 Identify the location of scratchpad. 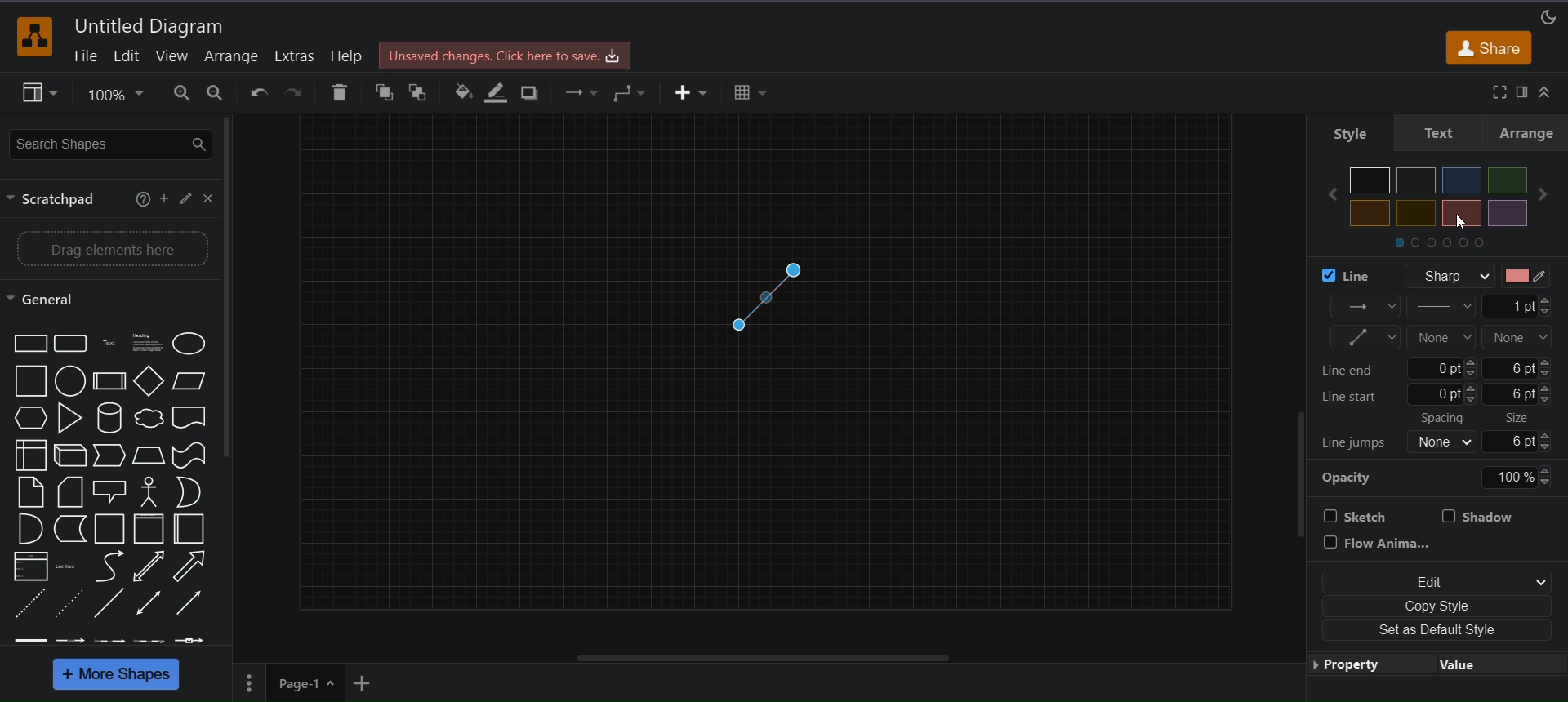
(56, 200).